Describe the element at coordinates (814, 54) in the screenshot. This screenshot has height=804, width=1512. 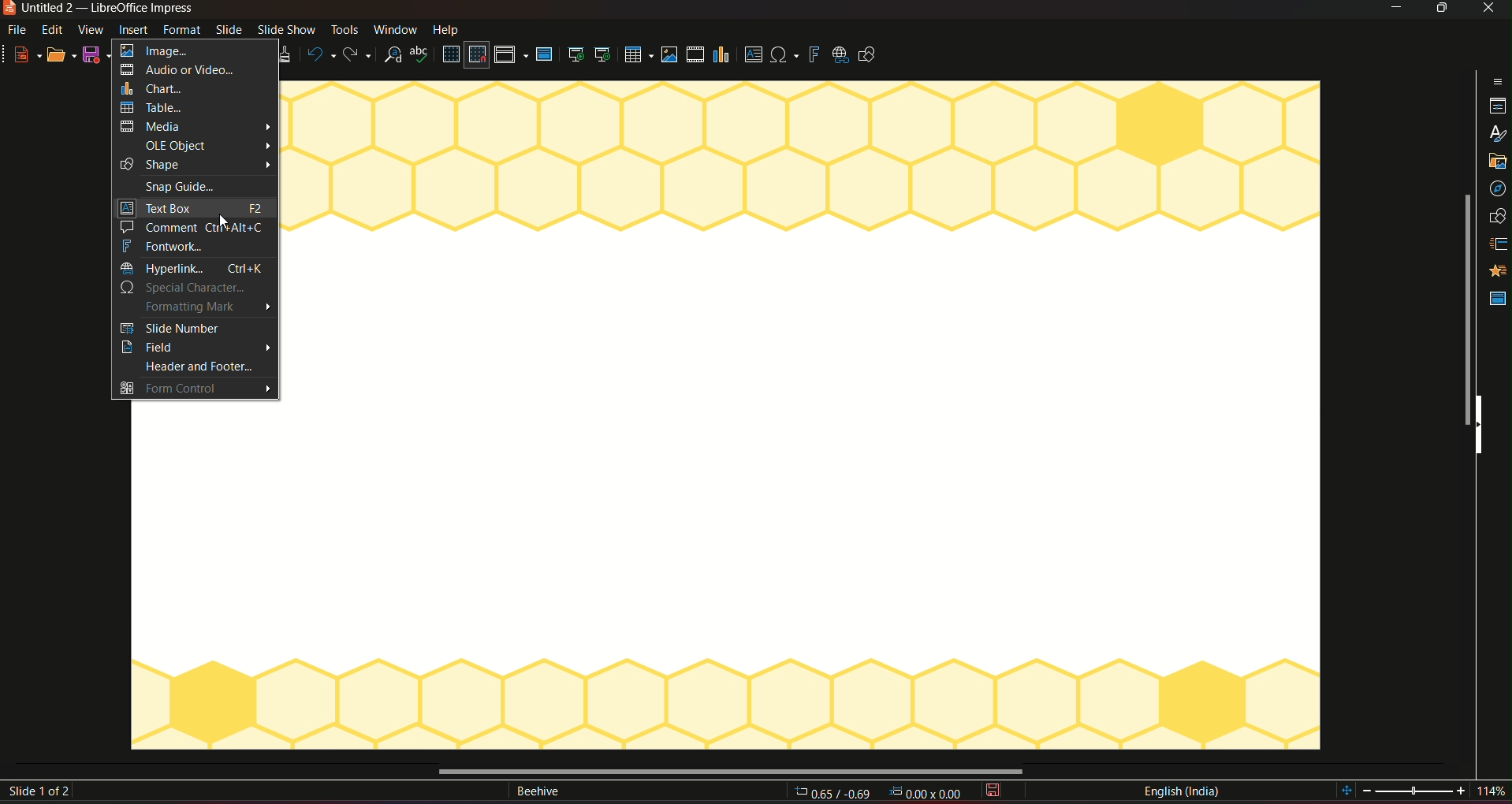
I see `insert fontwork text` at that location.